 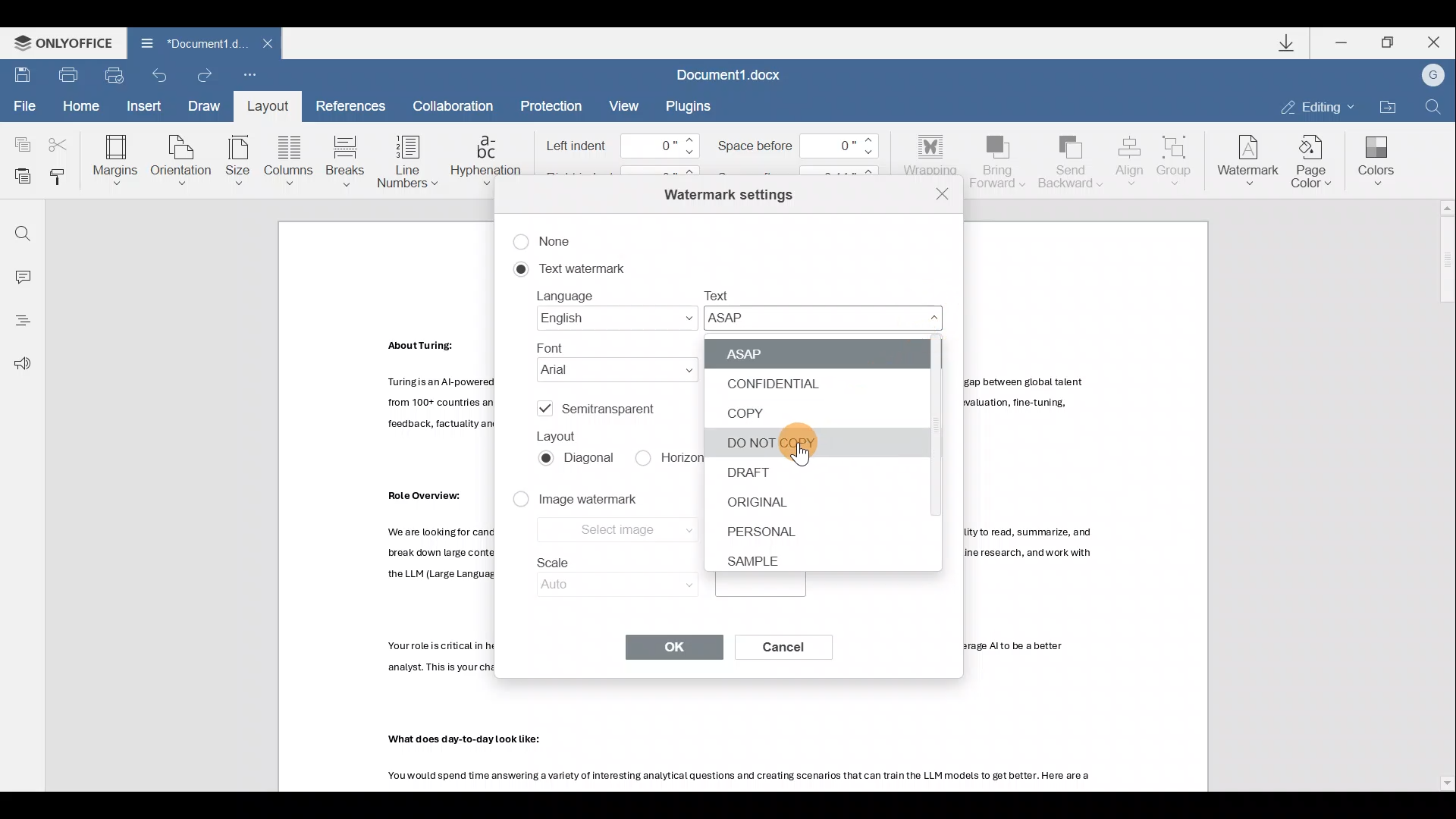 What do you see at coordinates (581, 463) in the screenshot?
I see `Diagonal` at bounding box center [581, 463].